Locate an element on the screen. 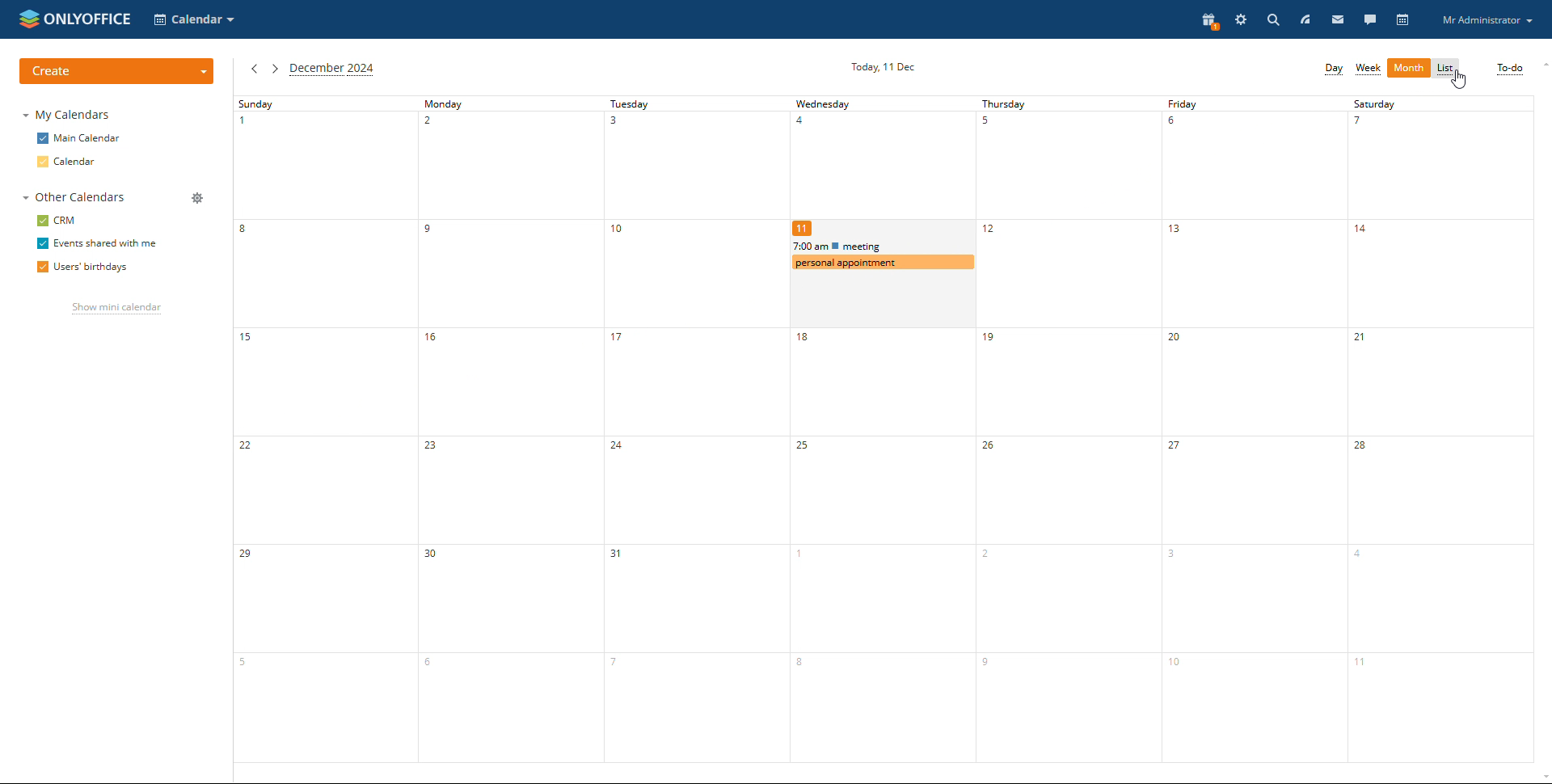 The image size is (1552, 784). logo is located at coordinates (76, 19).